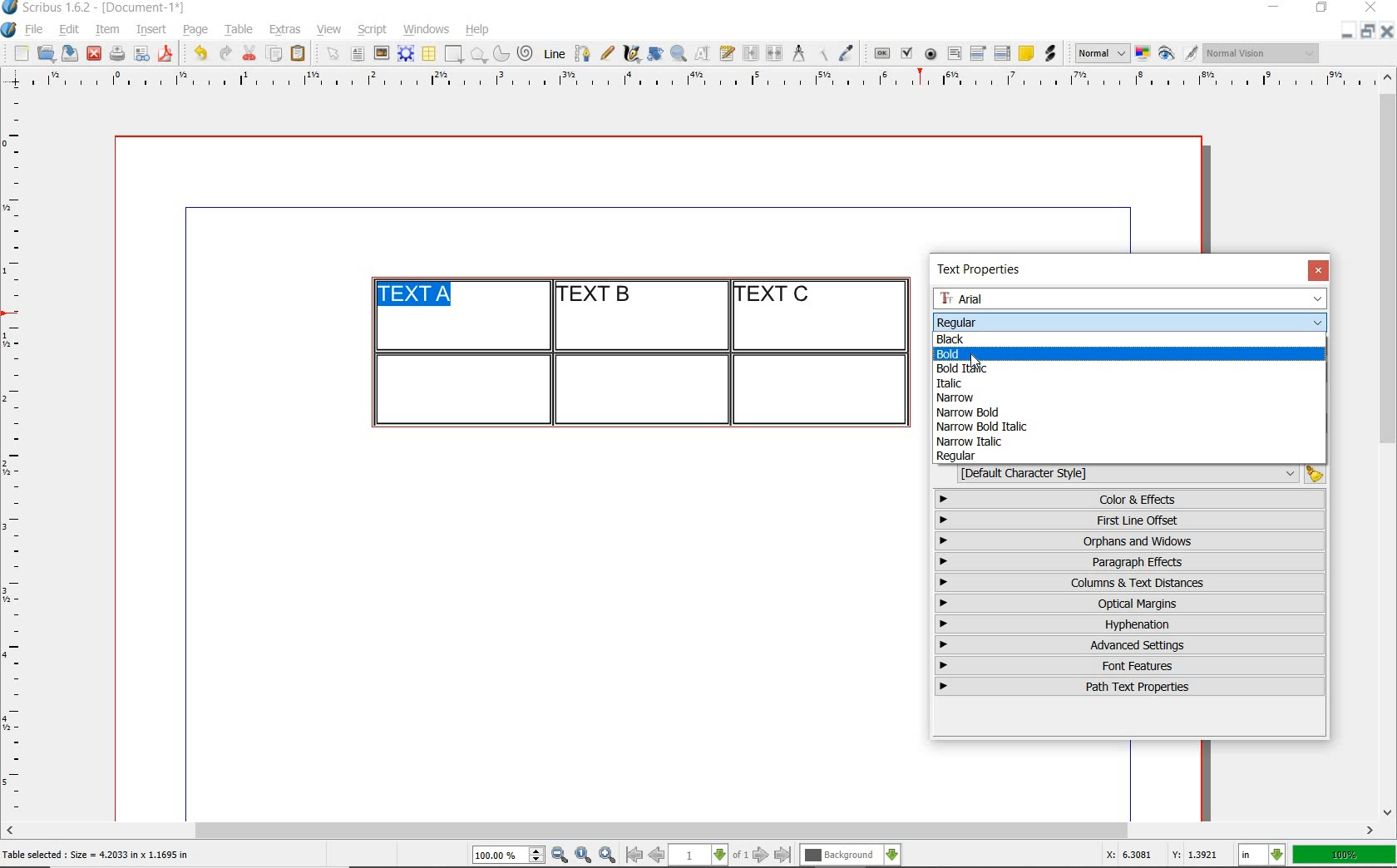 Image resolution: width=1397 pixels, height=868 pixels. I want to click on narrow bold, so click(970, 412).